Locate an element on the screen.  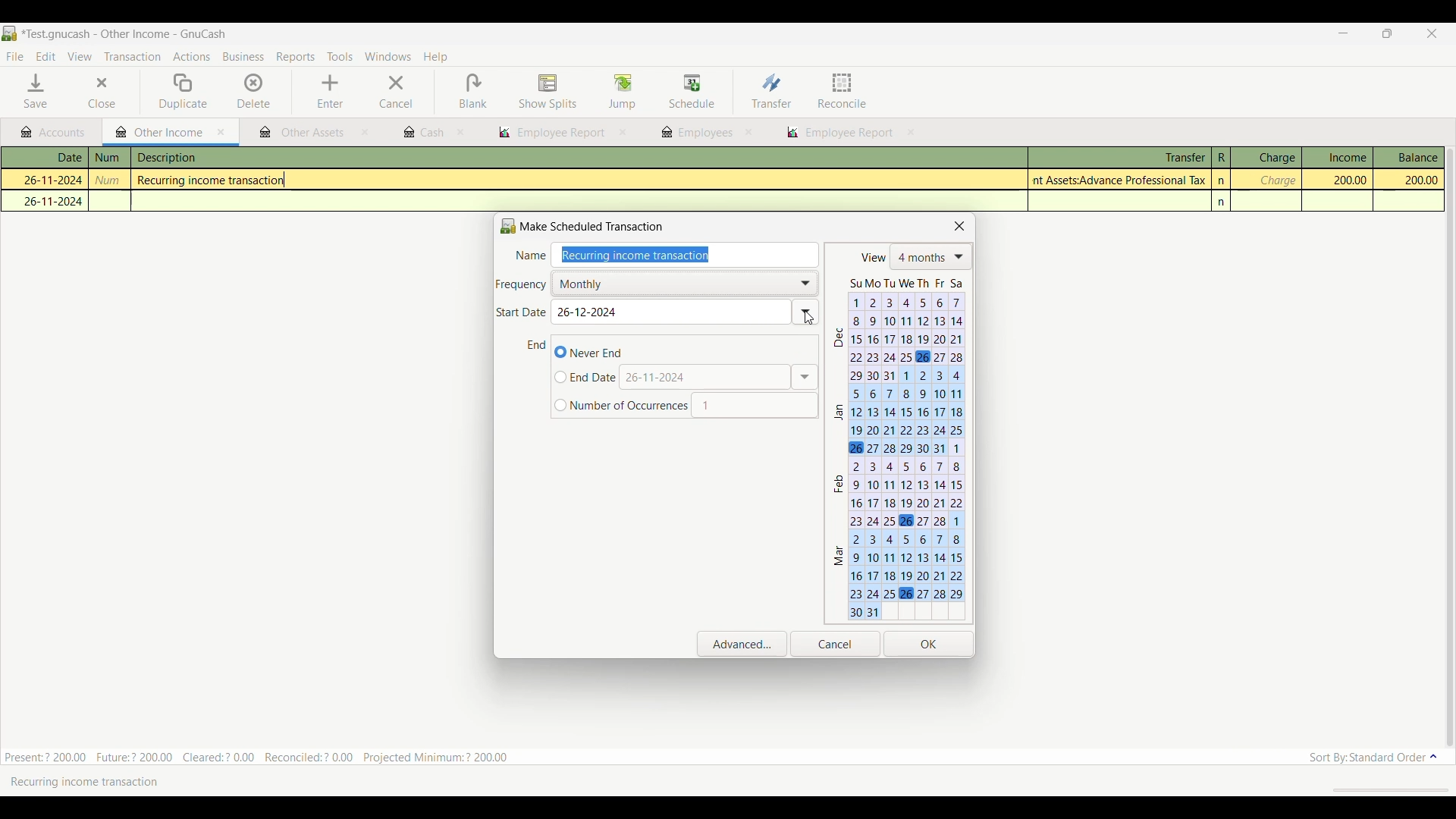
Delete is located at coordinates (254, 90).